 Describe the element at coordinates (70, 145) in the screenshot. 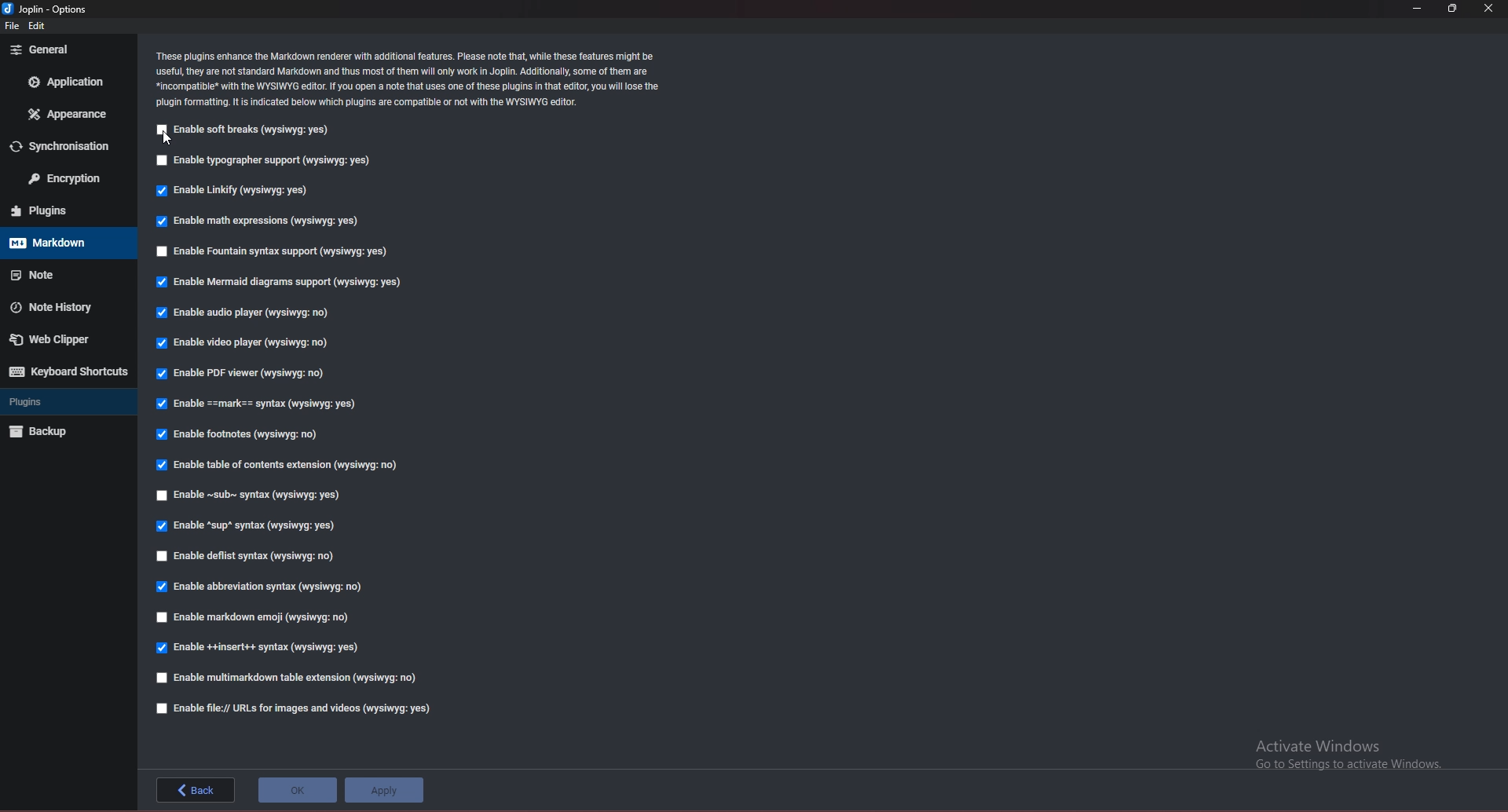

I see `sync` at that location.